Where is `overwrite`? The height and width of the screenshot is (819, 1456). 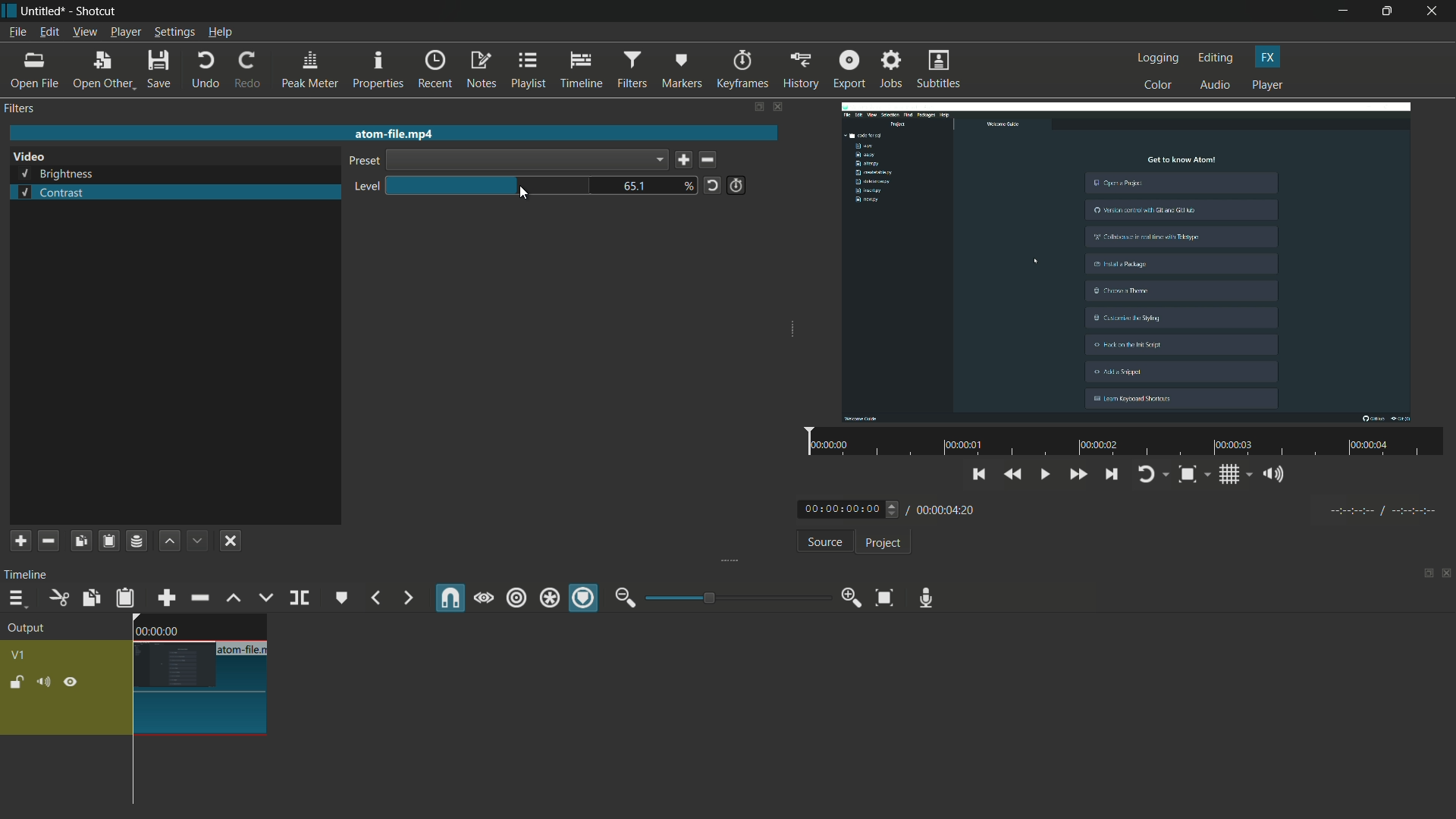 overwrite is located at coordinates (263, 598).